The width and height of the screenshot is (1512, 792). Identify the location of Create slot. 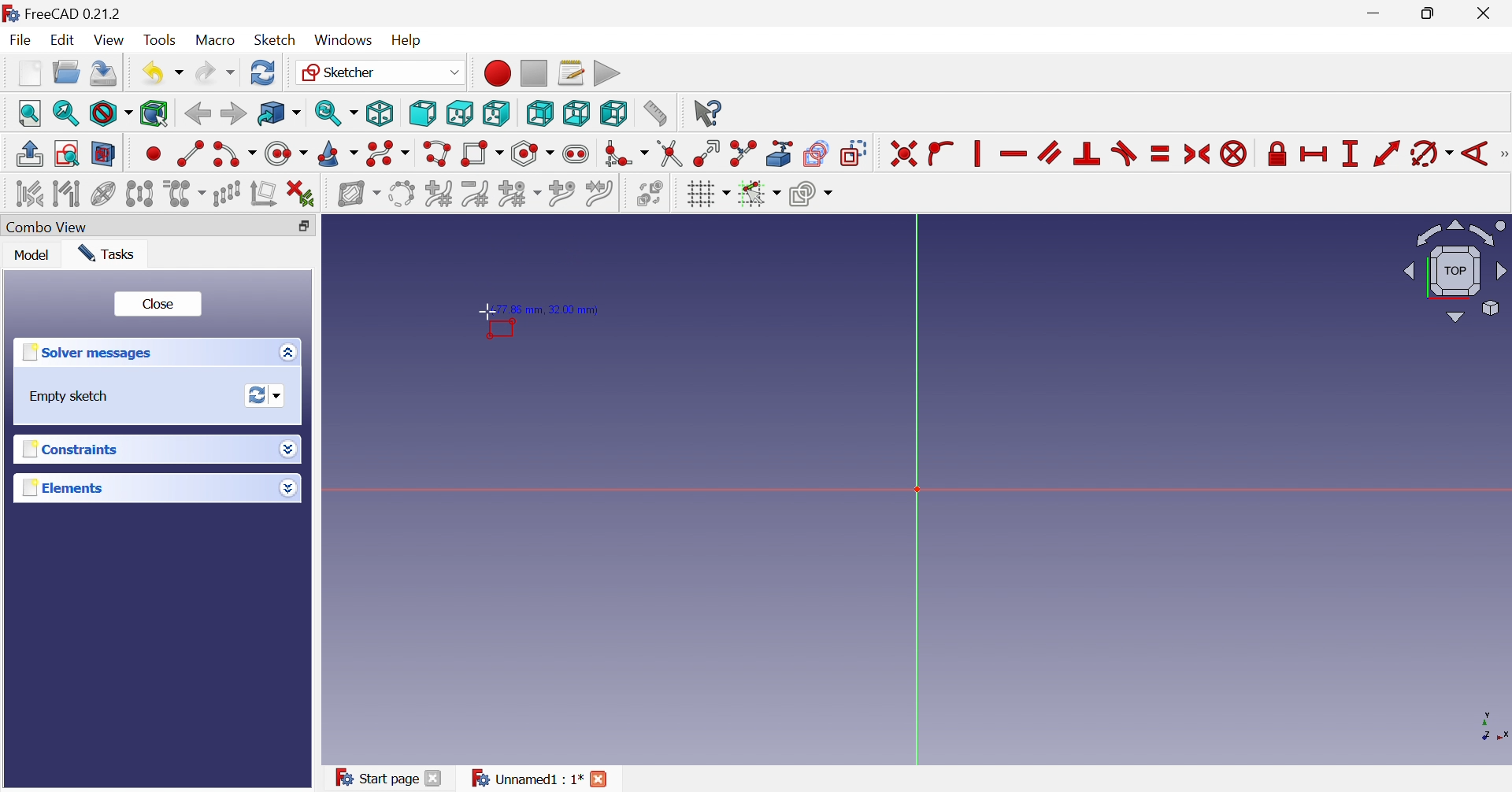
(578, 154).